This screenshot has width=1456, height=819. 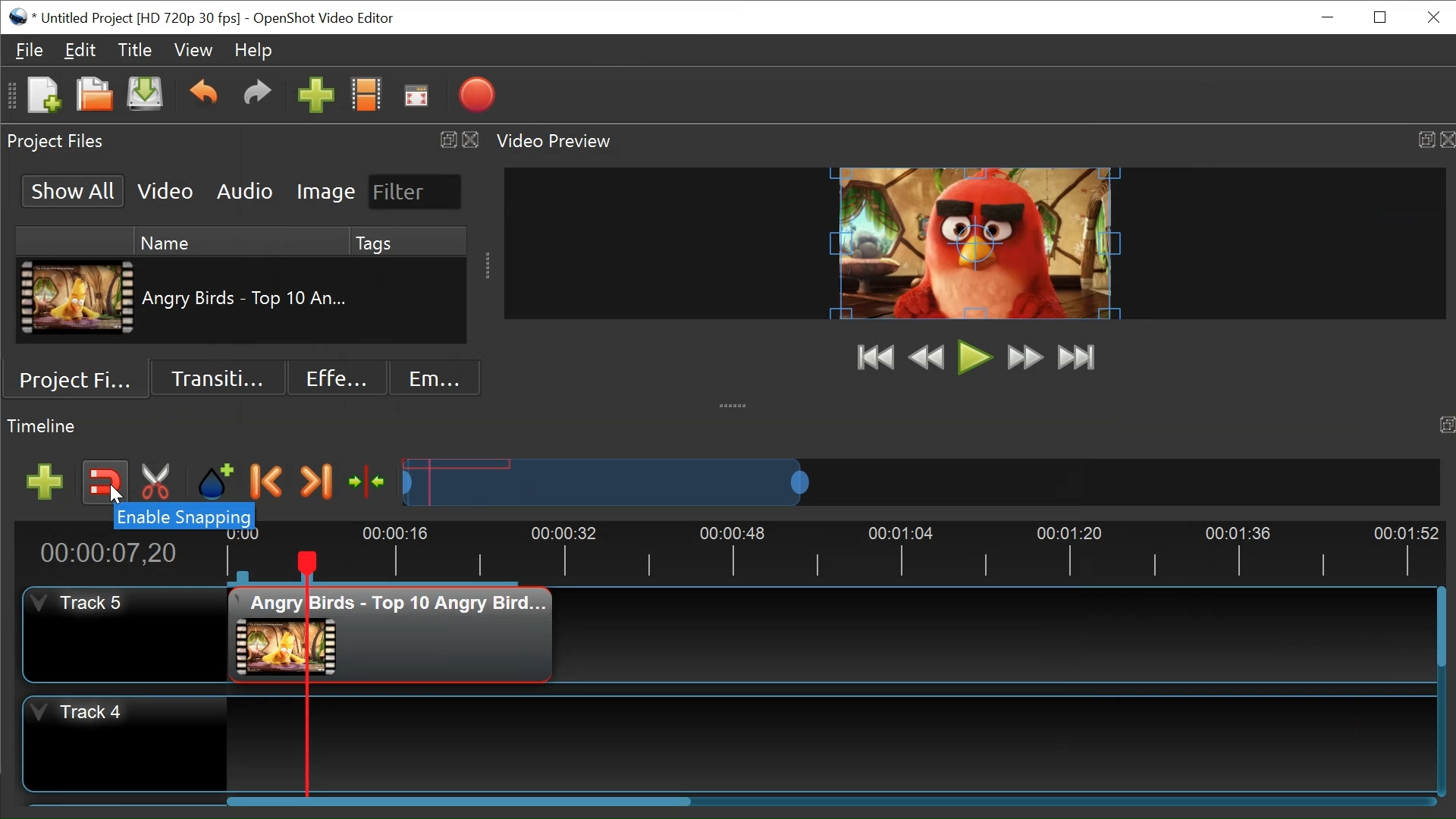 I want to click on OpenShot Video Editor, so click(x=329, y=19).